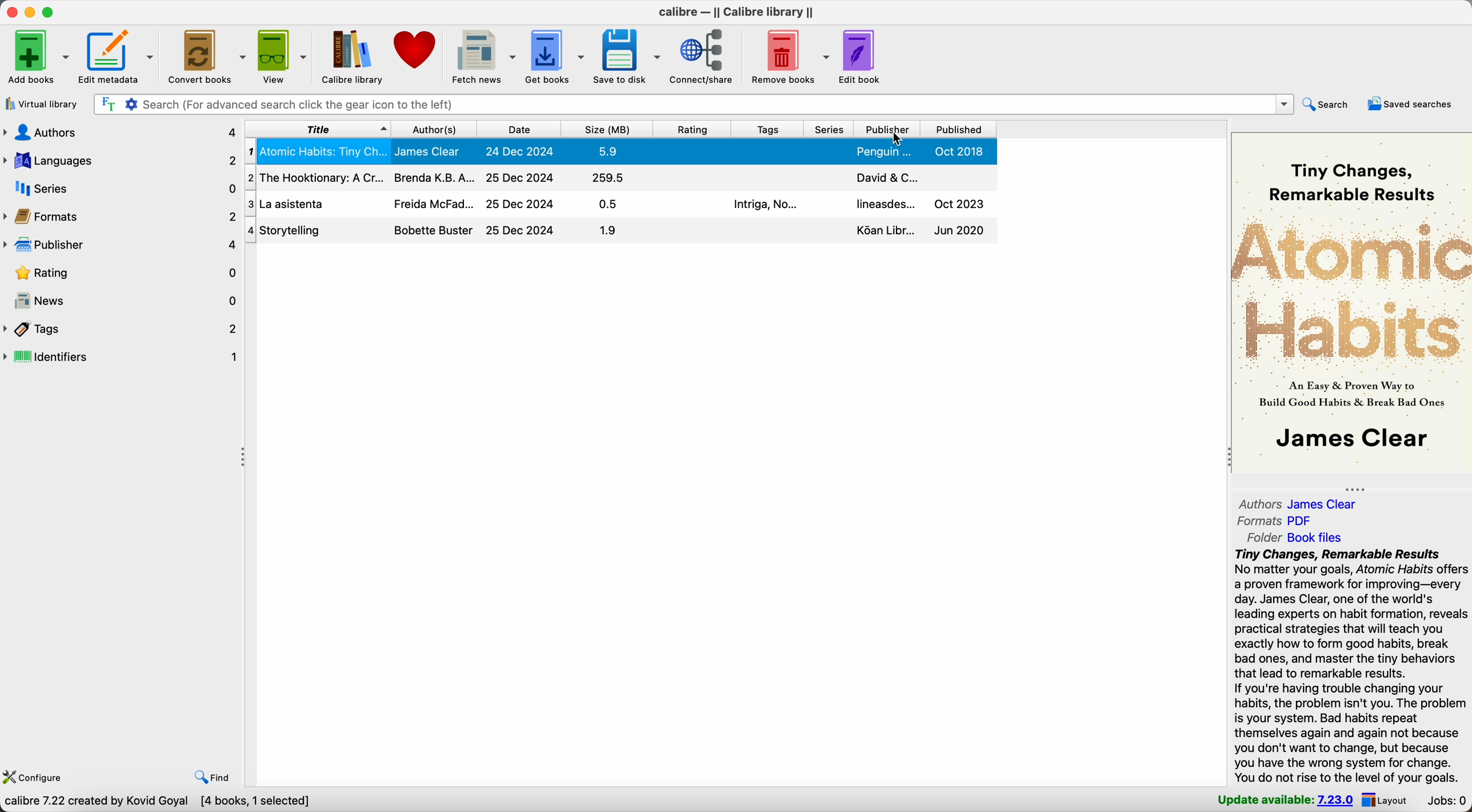 The image size is (1472, 812). Describe the element at coordinates (119, 275) in the screenshot. I see `rating` at that location.